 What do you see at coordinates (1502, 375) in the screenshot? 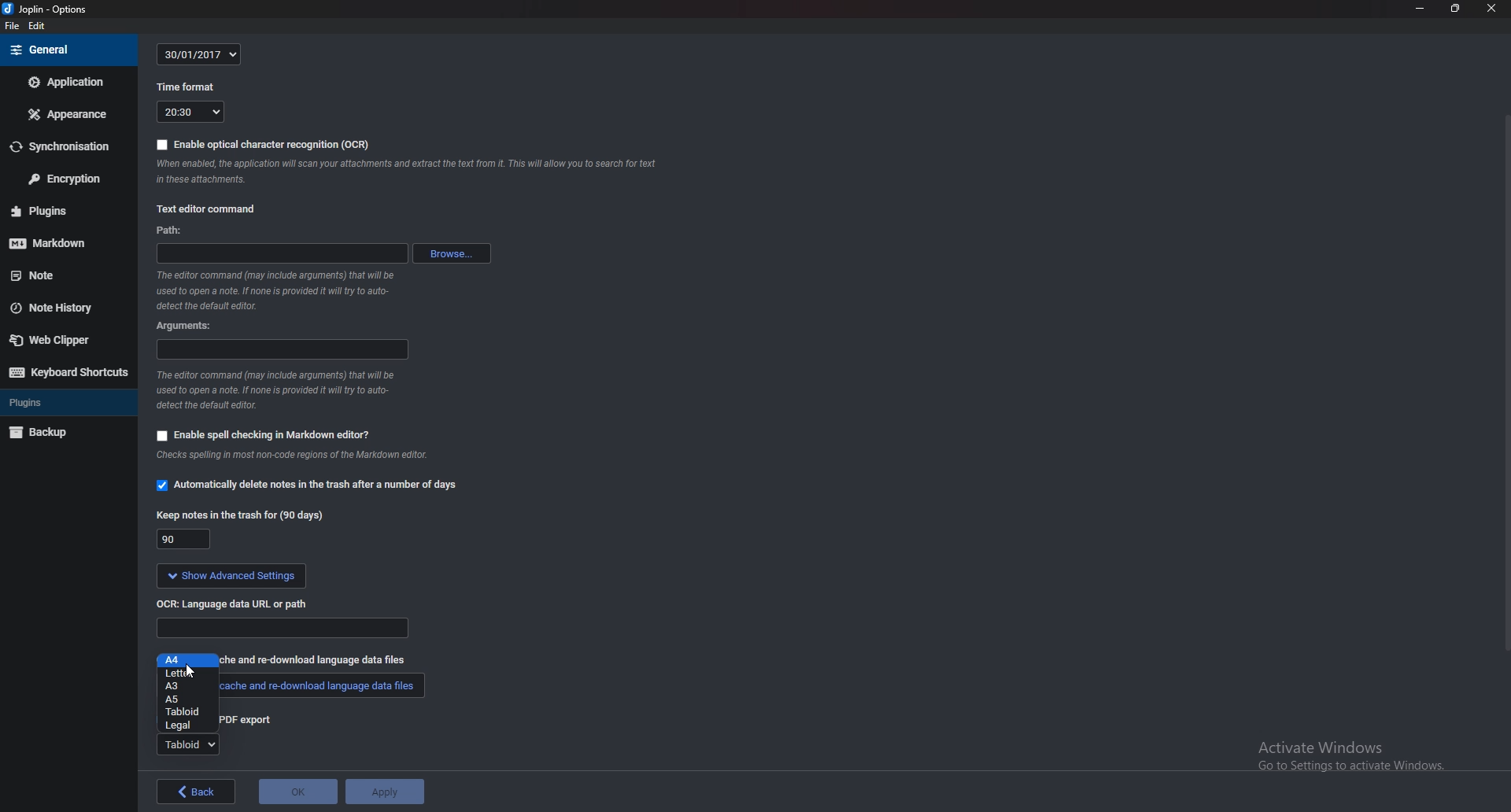
I see `Scroll bar` at bounding box center [1502, 375].